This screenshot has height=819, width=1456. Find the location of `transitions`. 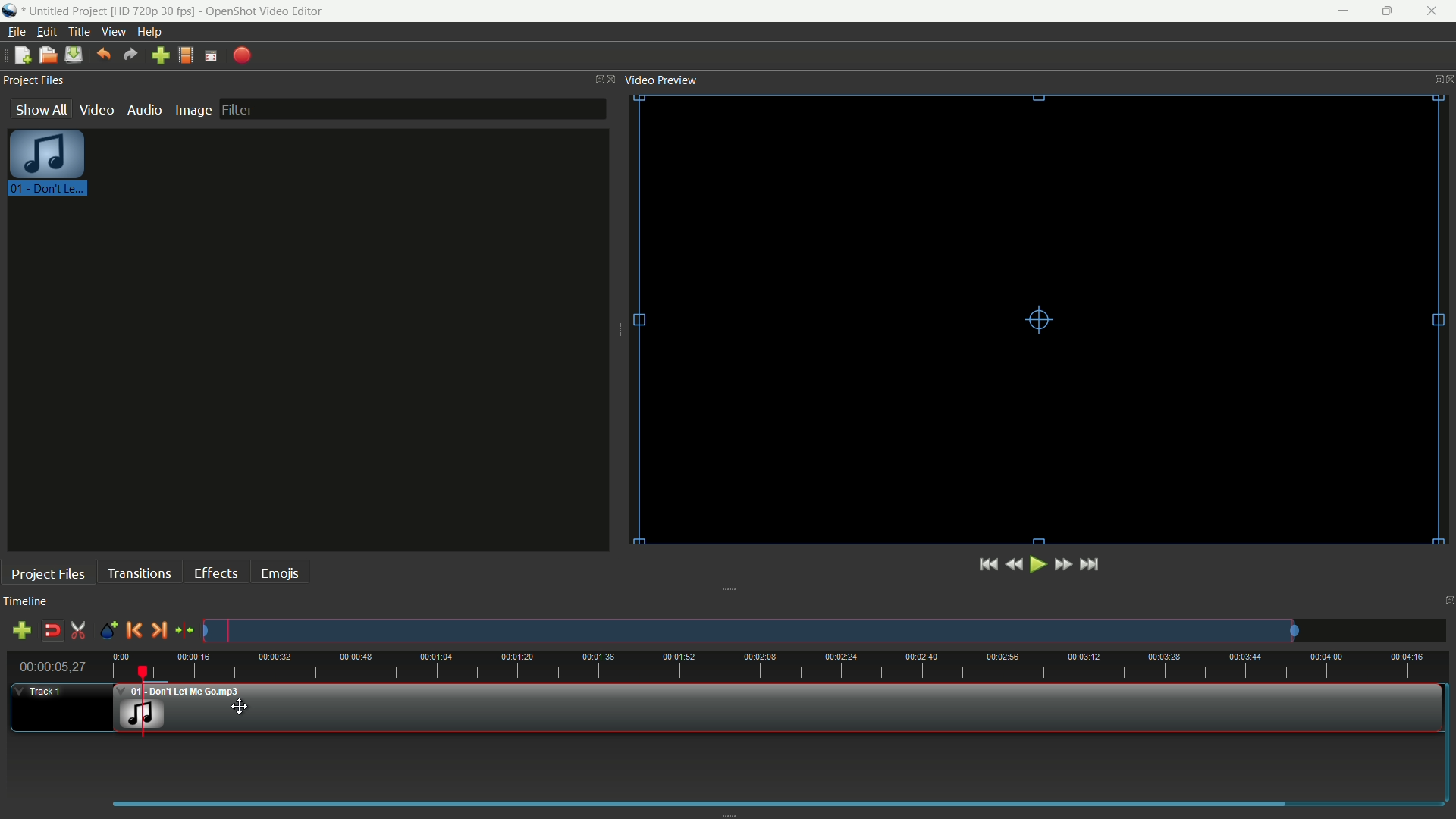

transitions is located at coordinates (140, 573).